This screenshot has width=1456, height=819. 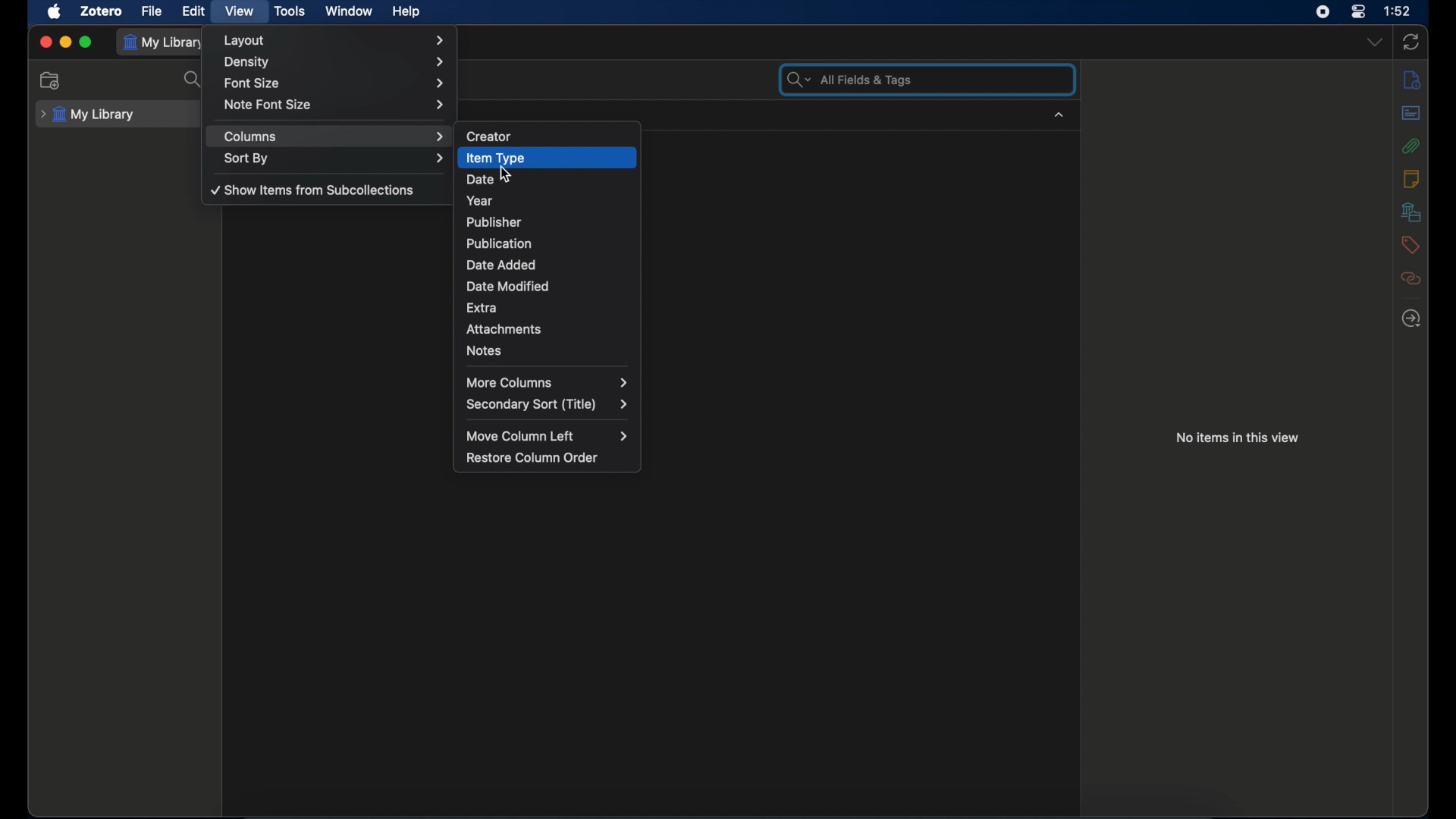 I want to click on attachments, so click(x=505, y=329).